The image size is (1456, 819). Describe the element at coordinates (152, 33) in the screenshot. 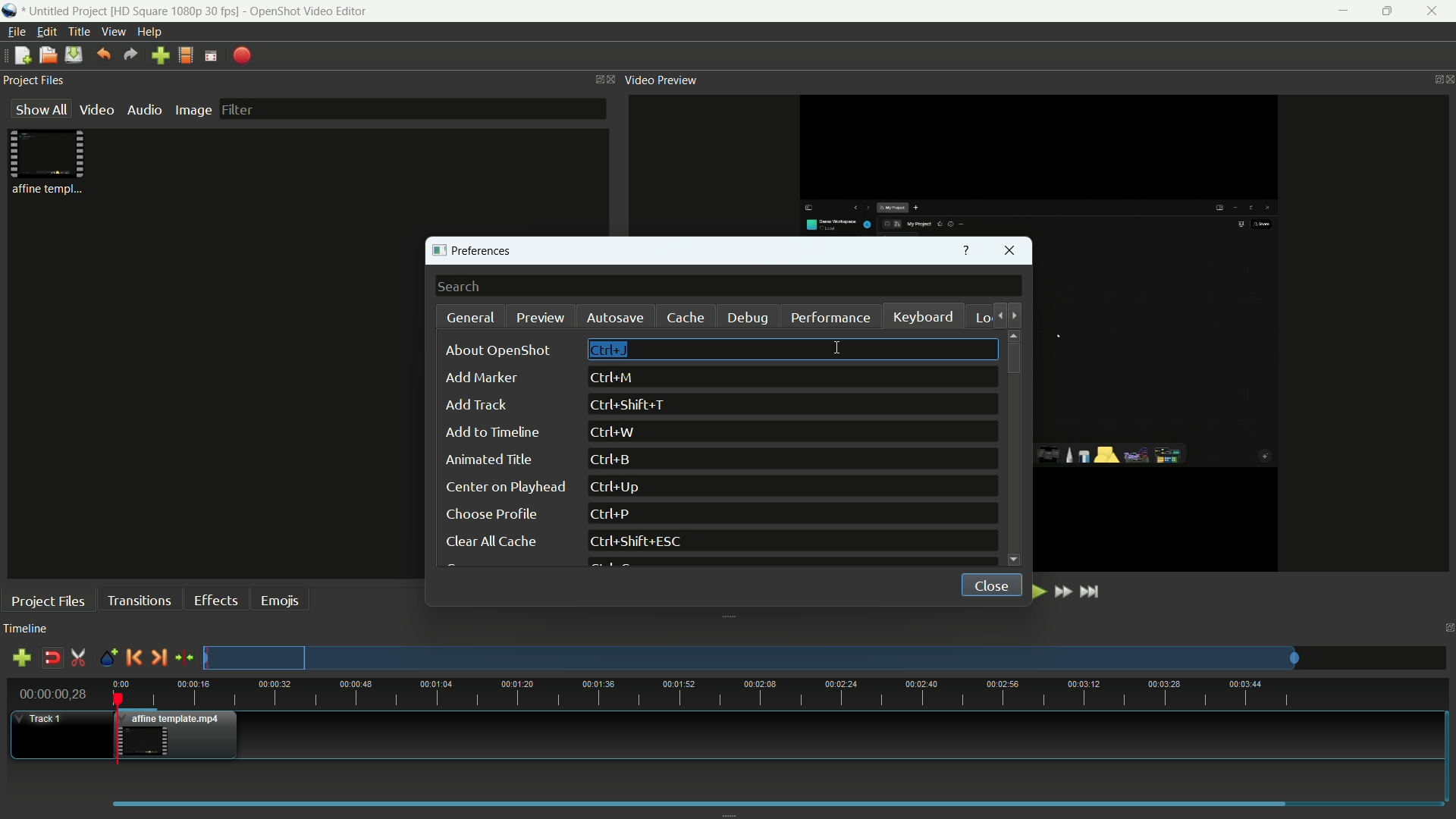

I see `help menu` at that location.